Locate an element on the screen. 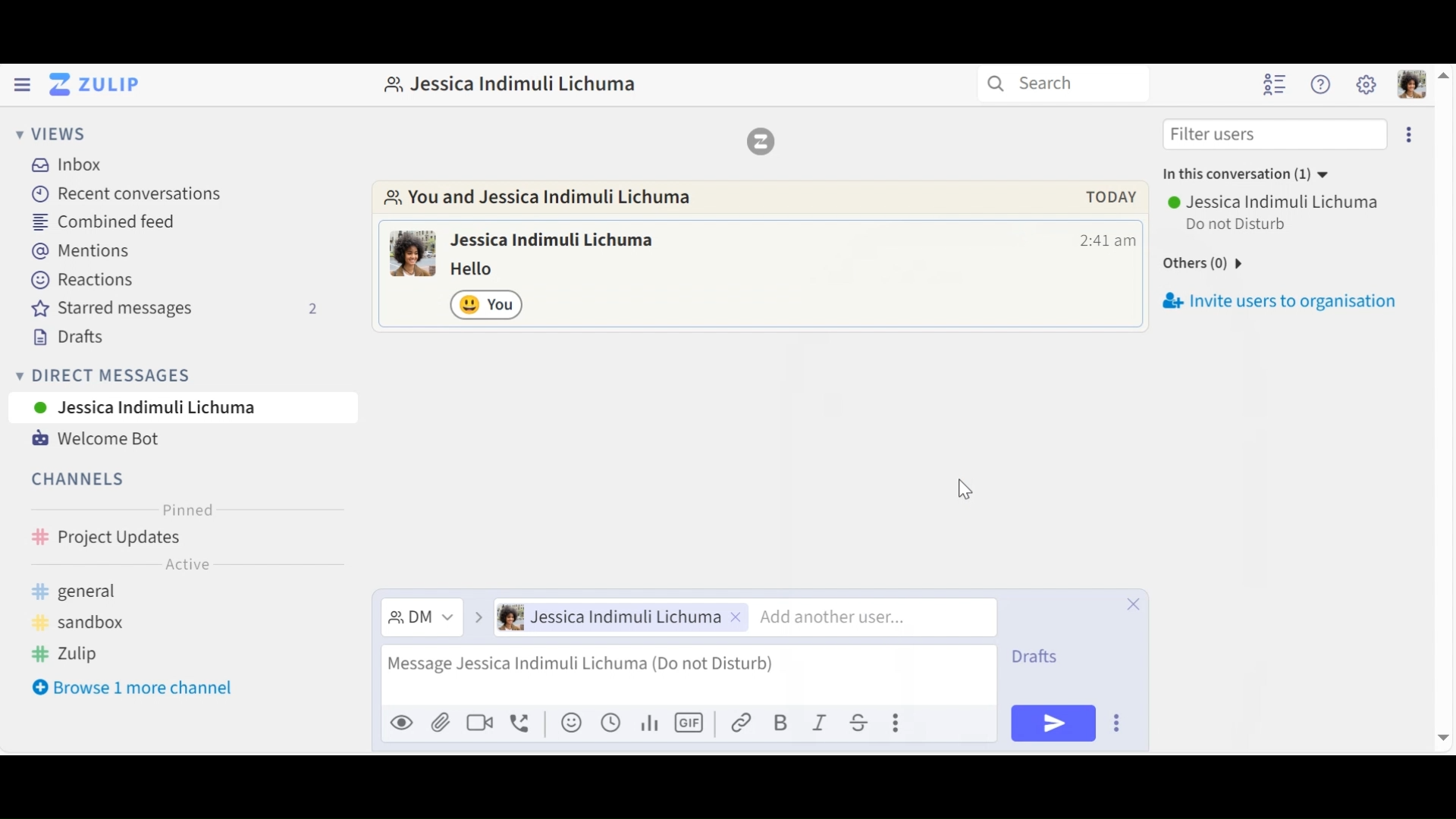 The width and height of the screenshot is (1456, 819). User is located at coordinates (622, 617).